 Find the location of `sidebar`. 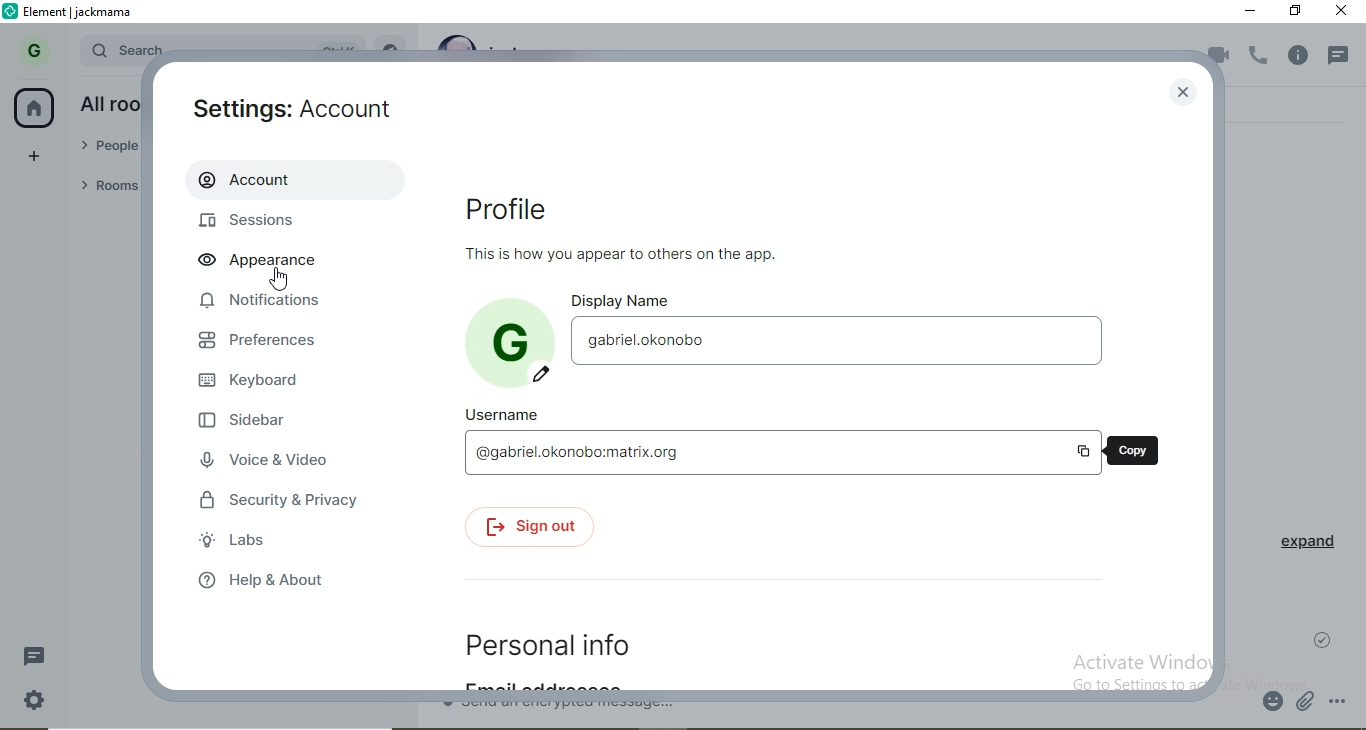

sidebar is located at coordinates (244, 423).